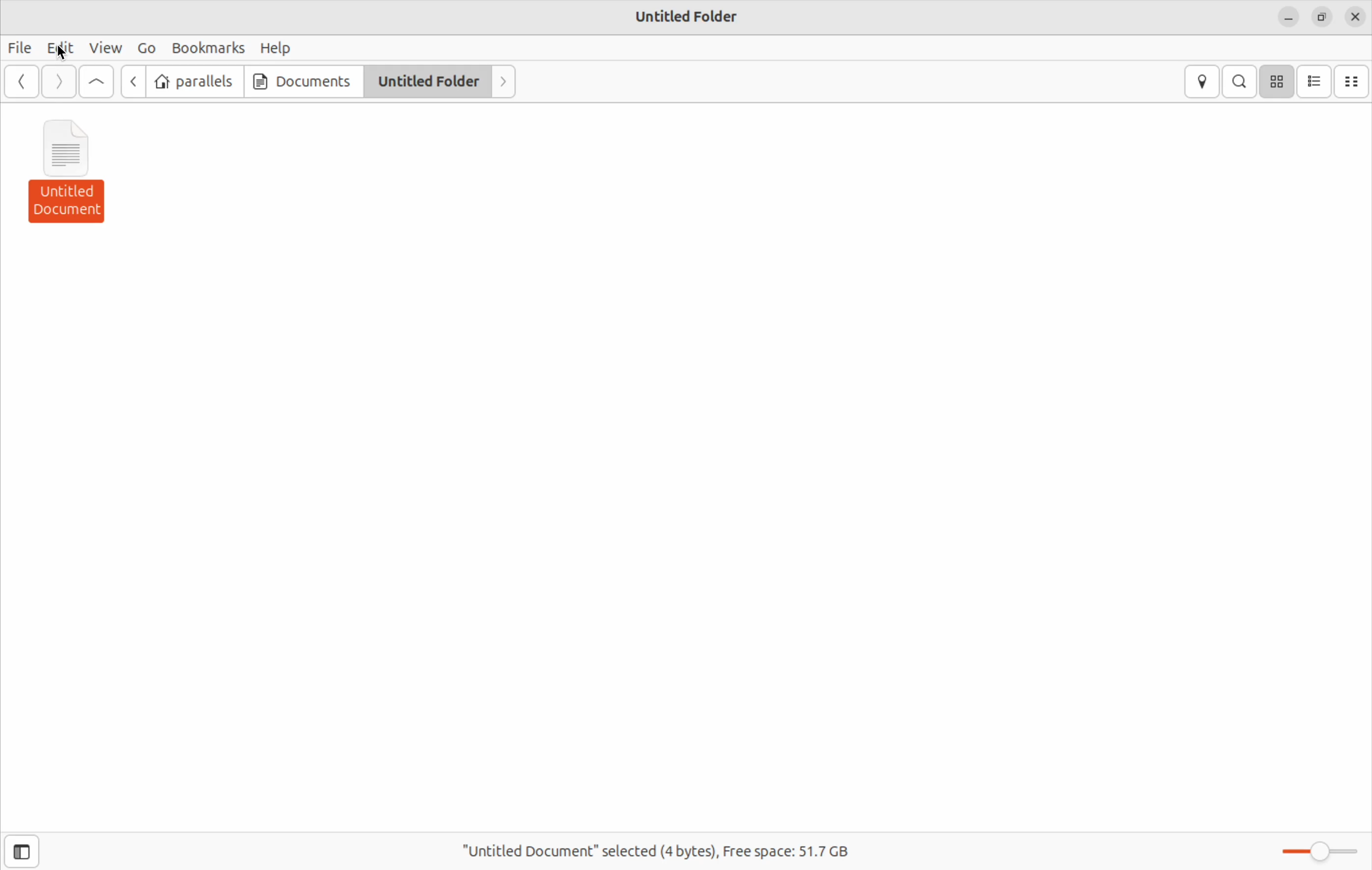 Image resolution: width=1372 pixels, height=870 pixels. I want to click on Bookmarks, so click(207, 46).